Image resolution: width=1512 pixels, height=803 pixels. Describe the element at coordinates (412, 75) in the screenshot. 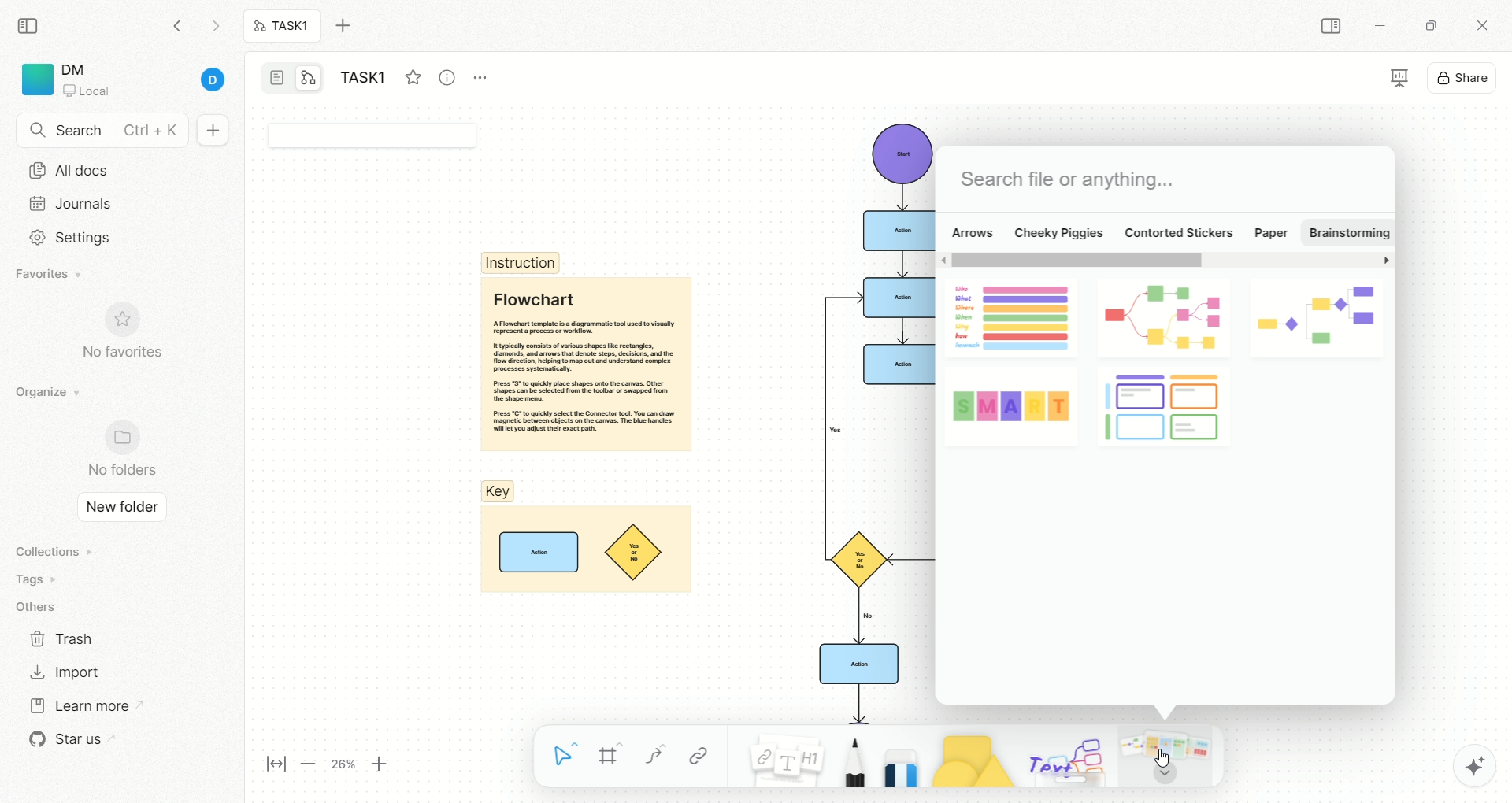

I see `favorites` at that location.